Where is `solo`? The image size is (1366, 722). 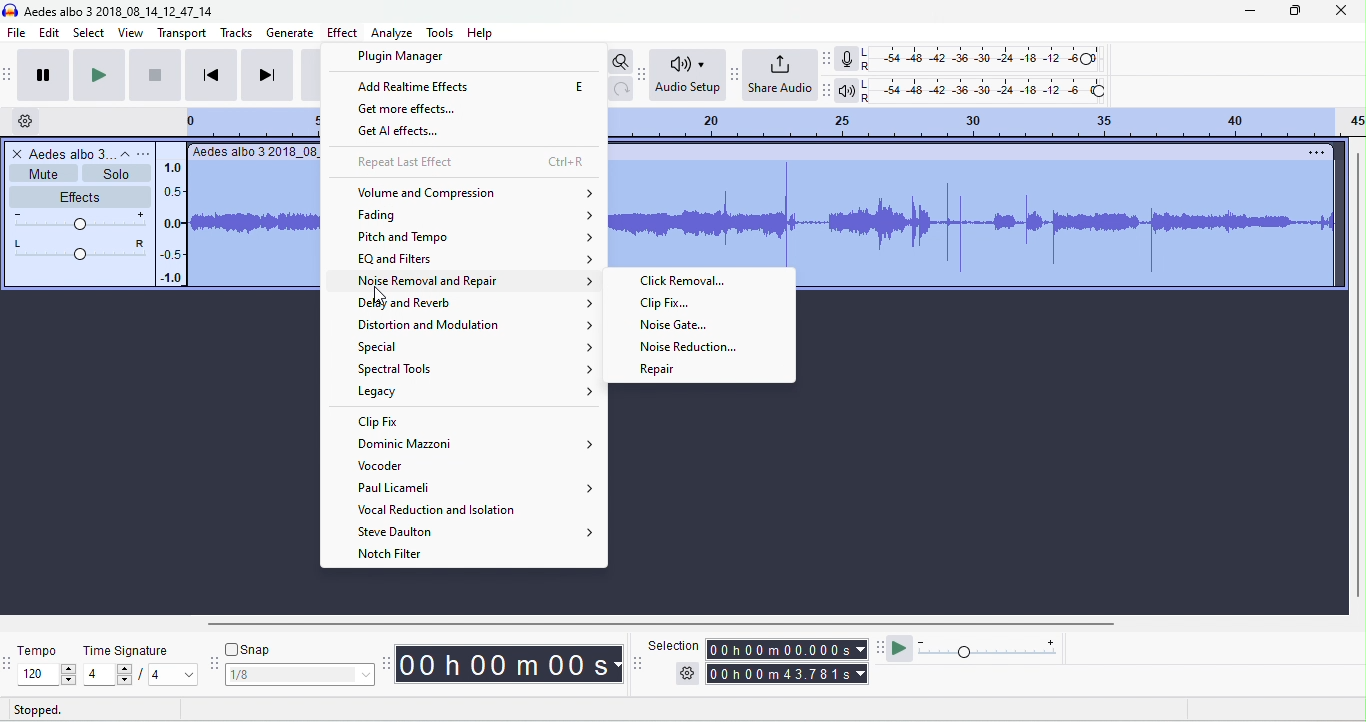
solo is located at coordinates (115, 174).